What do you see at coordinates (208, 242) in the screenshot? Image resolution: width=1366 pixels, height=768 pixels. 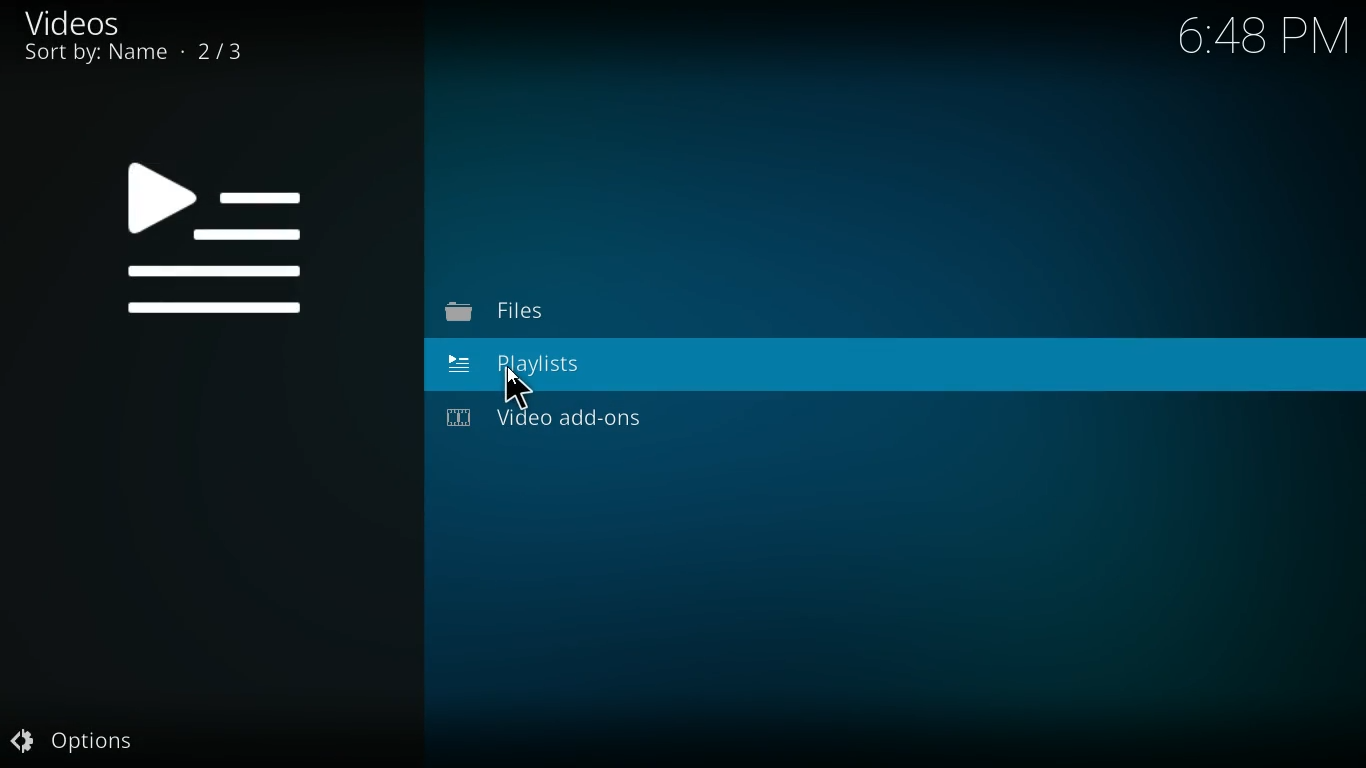 I see `playlist symbol` at bounding box center [208, 242].